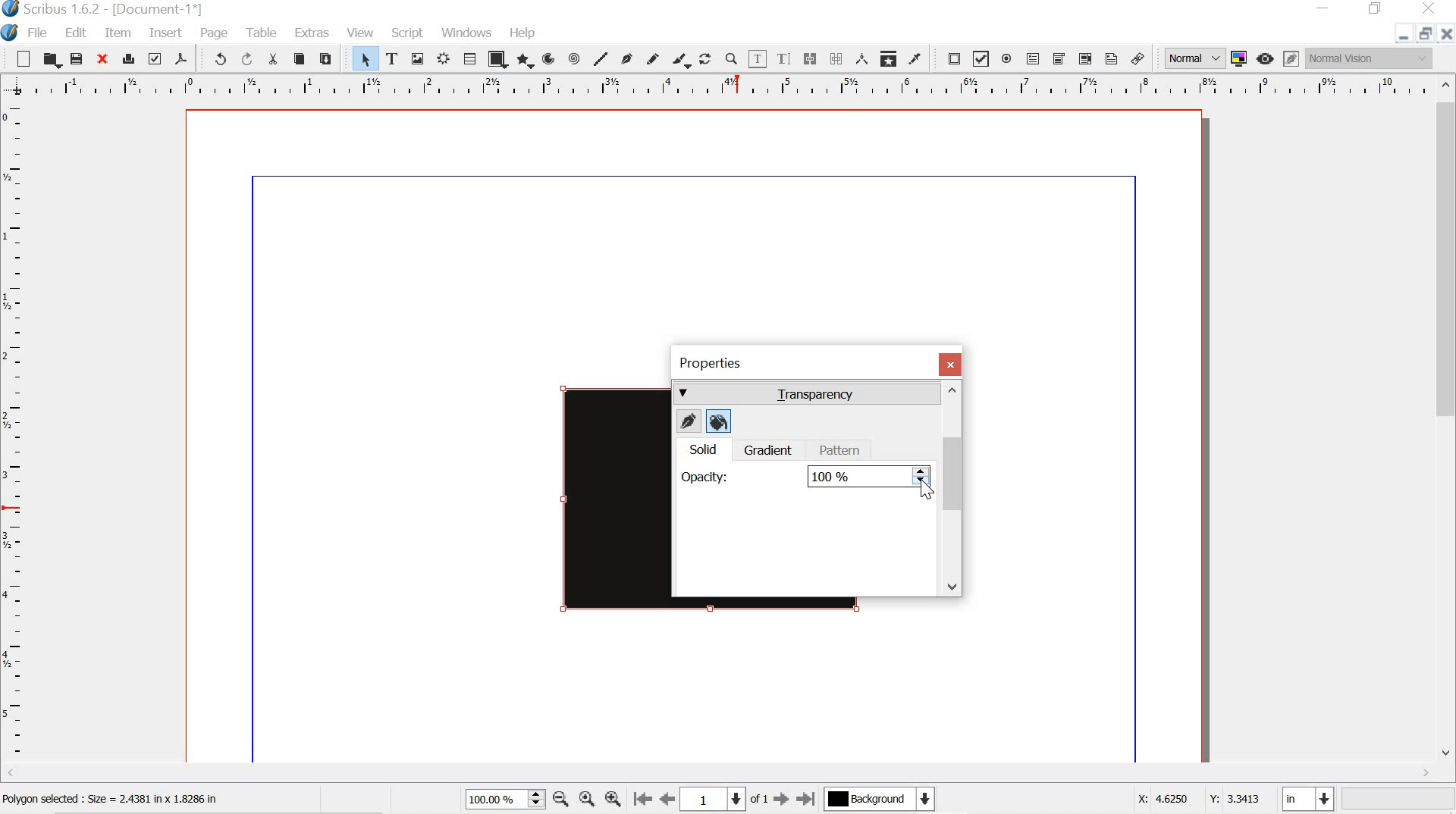 This screenshot has width=1456, height=814. Describe the element at coordinates (1323, 8) in the screenshot. I see `minimize` at that location.